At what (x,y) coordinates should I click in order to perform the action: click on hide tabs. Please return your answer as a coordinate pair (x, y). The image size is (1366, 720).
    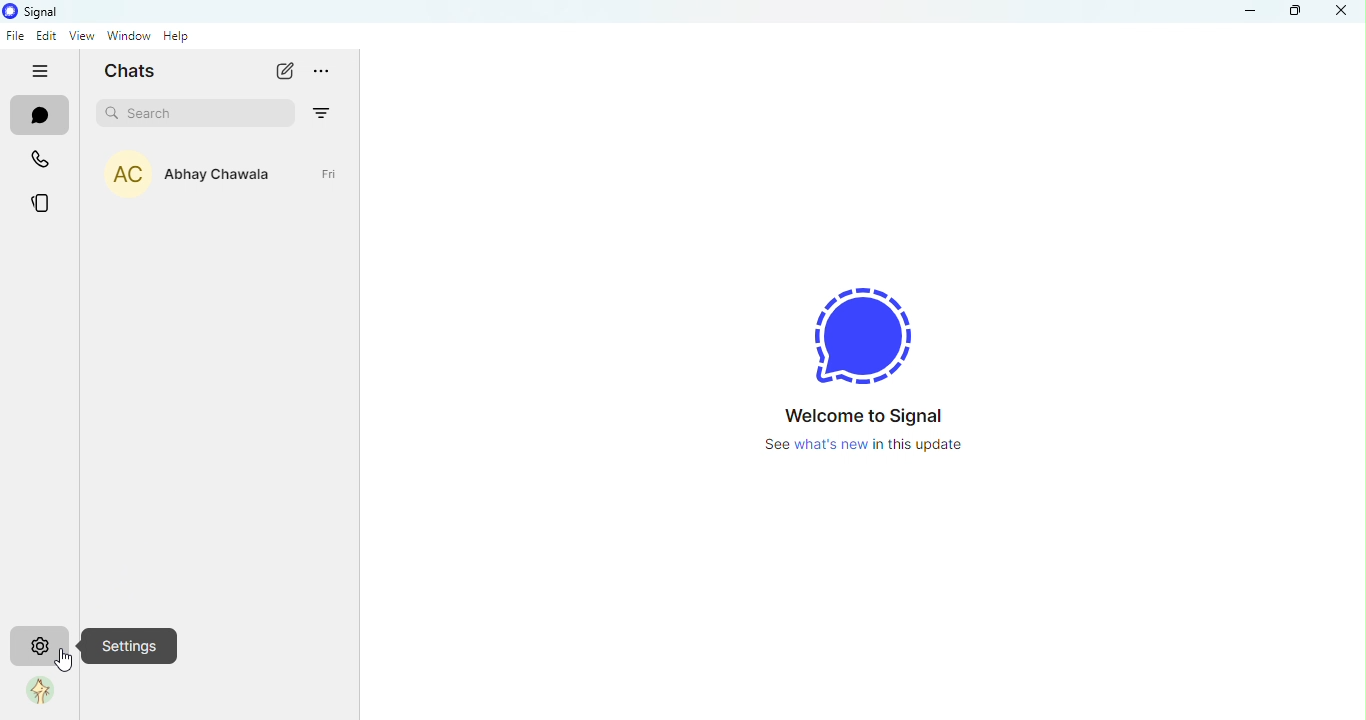
    Looking at the image, I should click on (38, 72).